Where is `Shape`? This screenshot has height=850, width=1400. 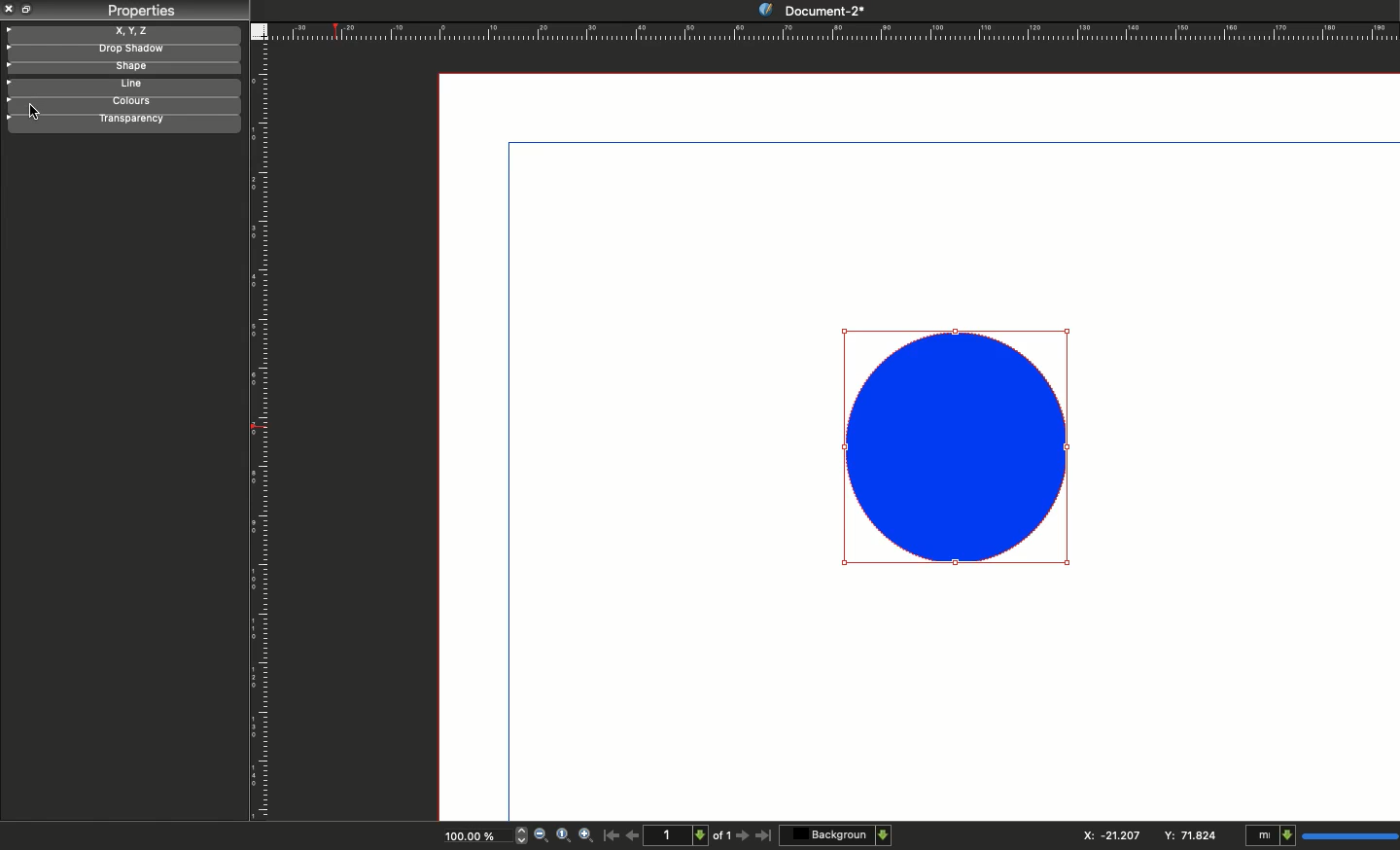 Shape is located at coordinates (122, 69).